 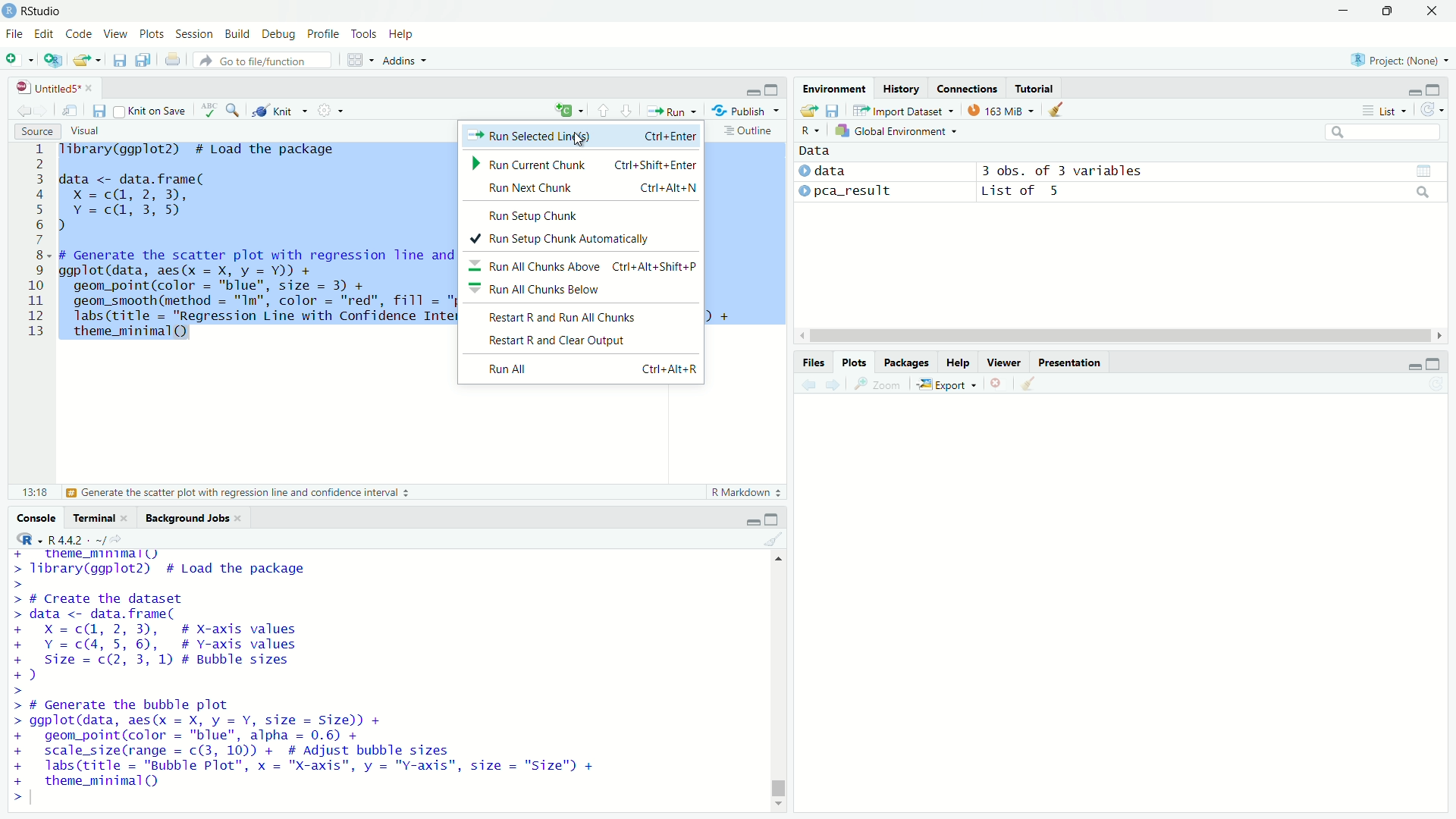 What do you see at coordinates (833, 171) in the screenshot?
I see `data` at bounding box center [833, 171].